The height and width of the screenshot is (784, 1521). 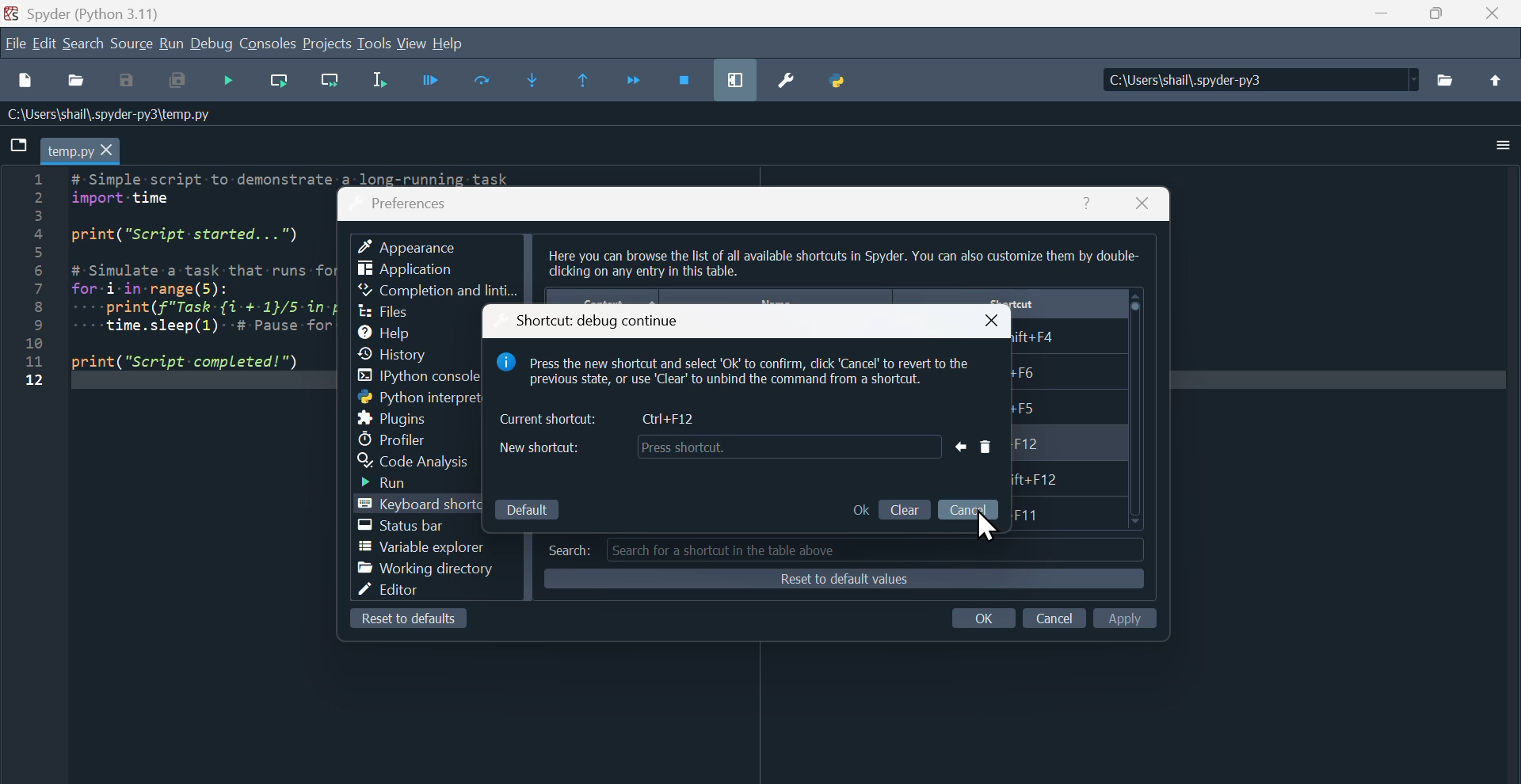 What do you see at coordinates (279, 84) in the screenshot?
I see `run current line` at bounding box center [279, 84].